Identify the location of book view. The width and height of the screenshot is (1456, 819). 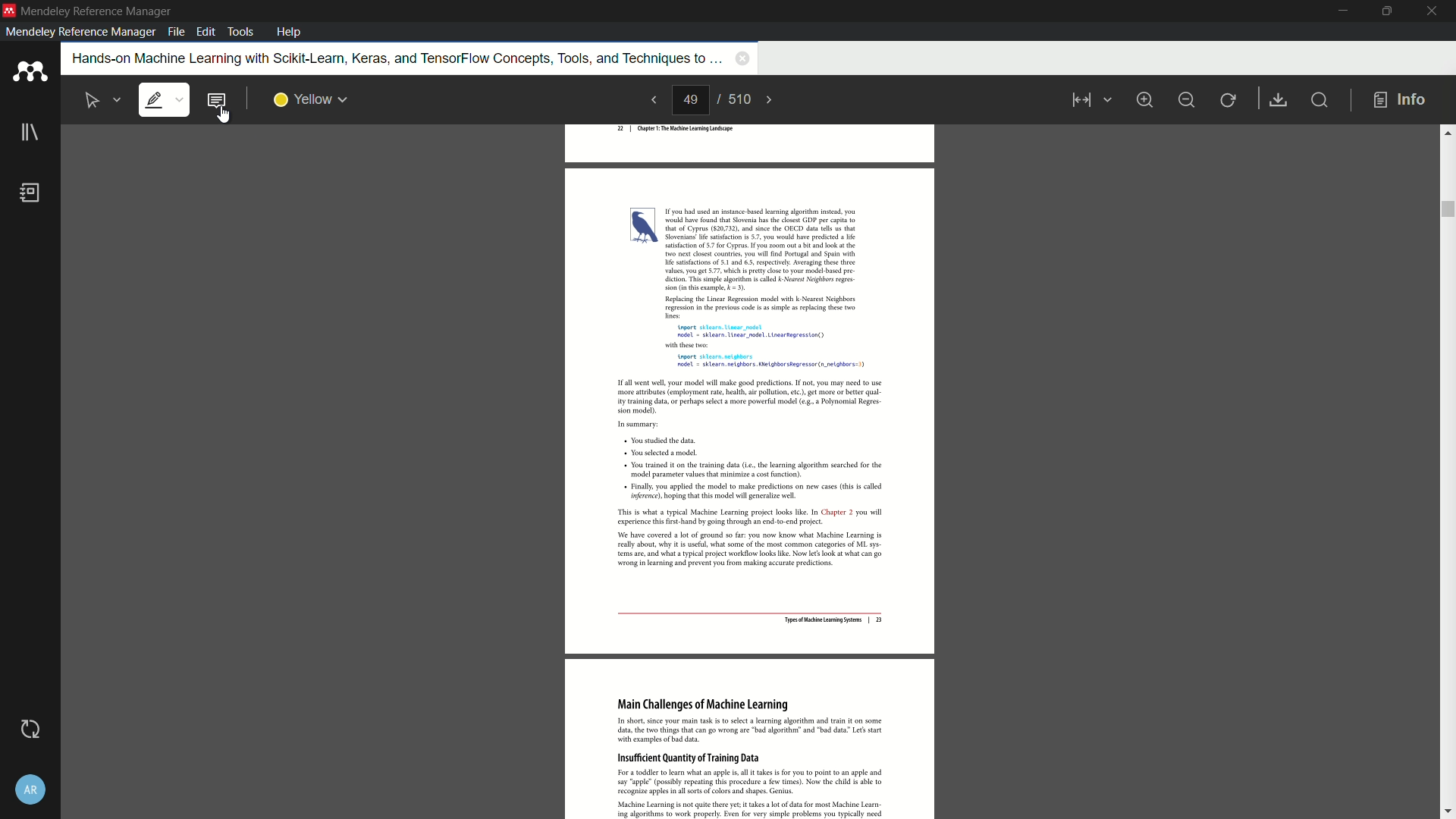
(1087, 102).